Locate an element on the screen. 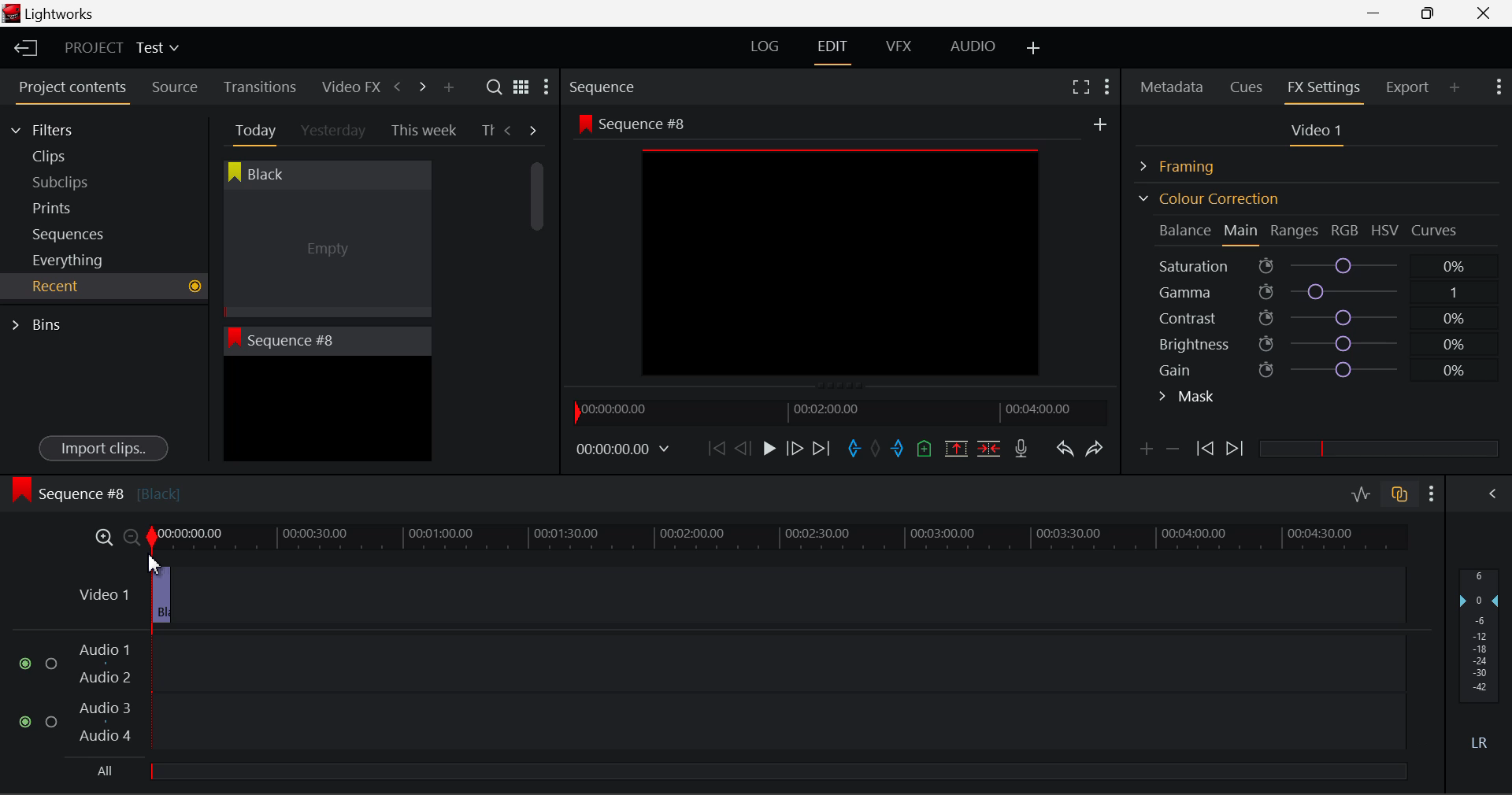  Export Panel is located at coordinates (1410, 87).